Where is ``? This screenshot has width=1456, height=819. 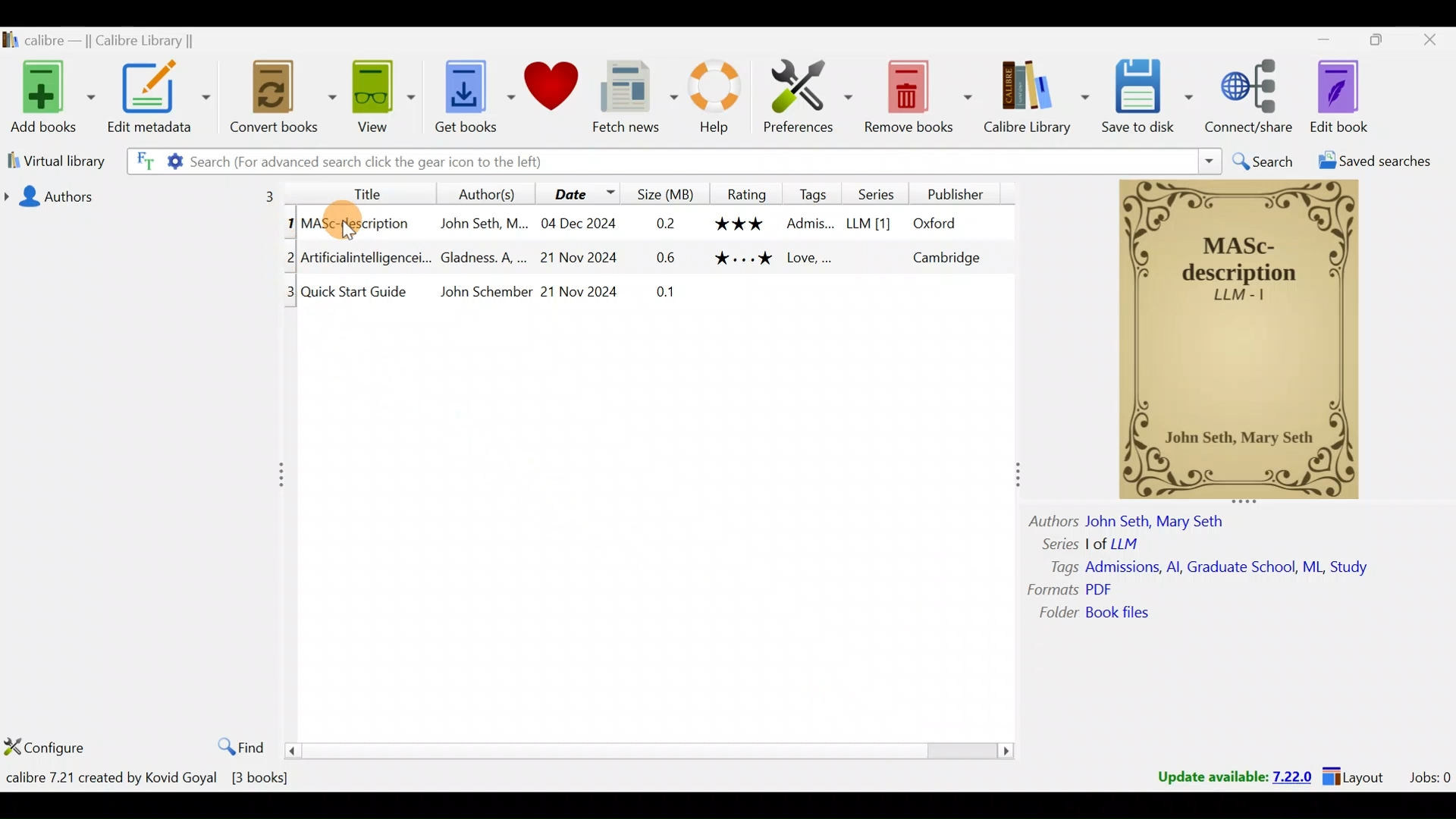
 is located at coordinates (1115, 545).